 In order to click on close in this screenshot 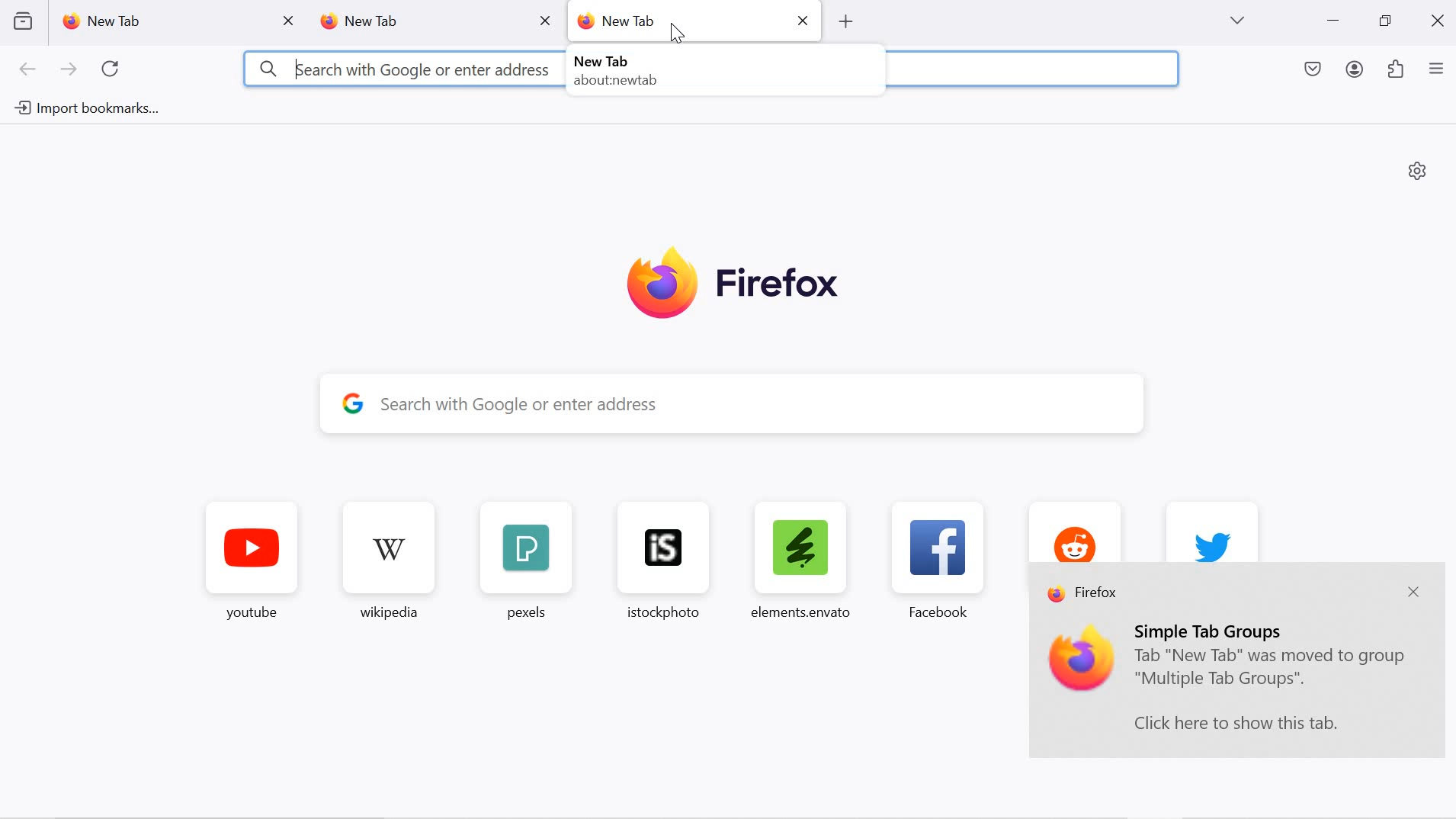, I will do `click(1440, 19)`.